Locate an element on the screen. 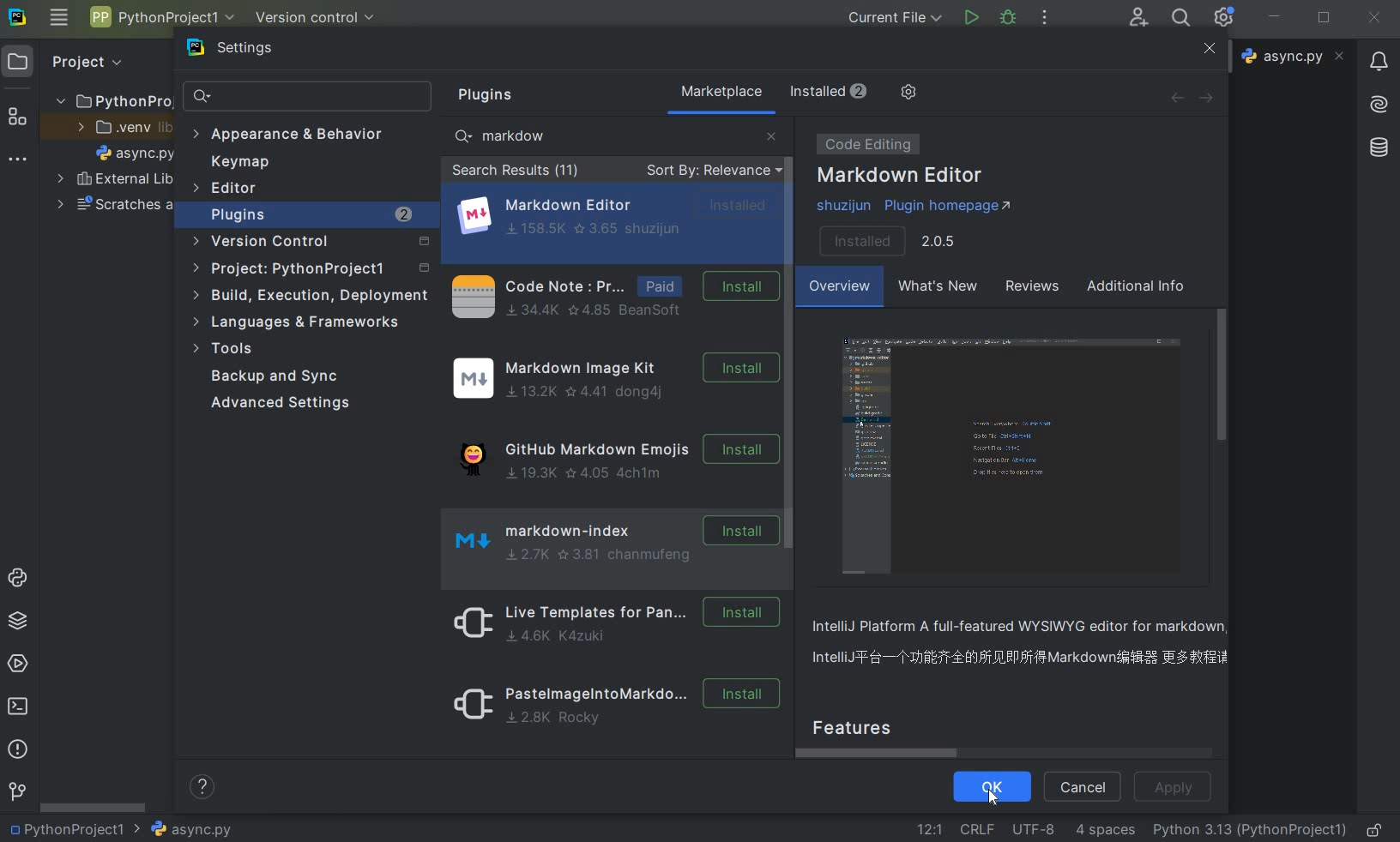 The width and height of the screenshot is (1400, 842). markdown-index is located at coordinates (607, 538).